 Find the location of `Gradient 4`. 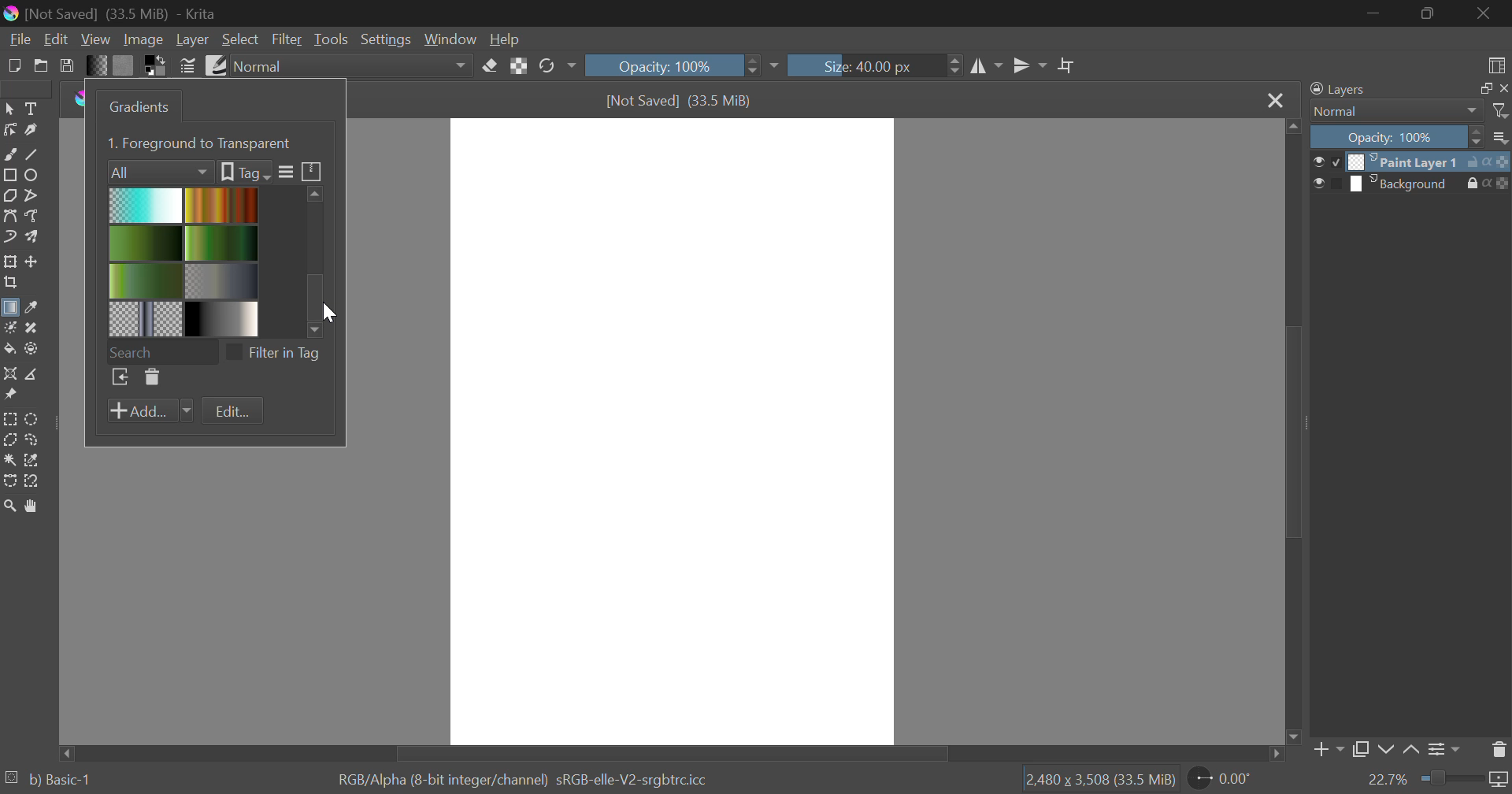

Gradient 4 is located at coordinates (222, 242).